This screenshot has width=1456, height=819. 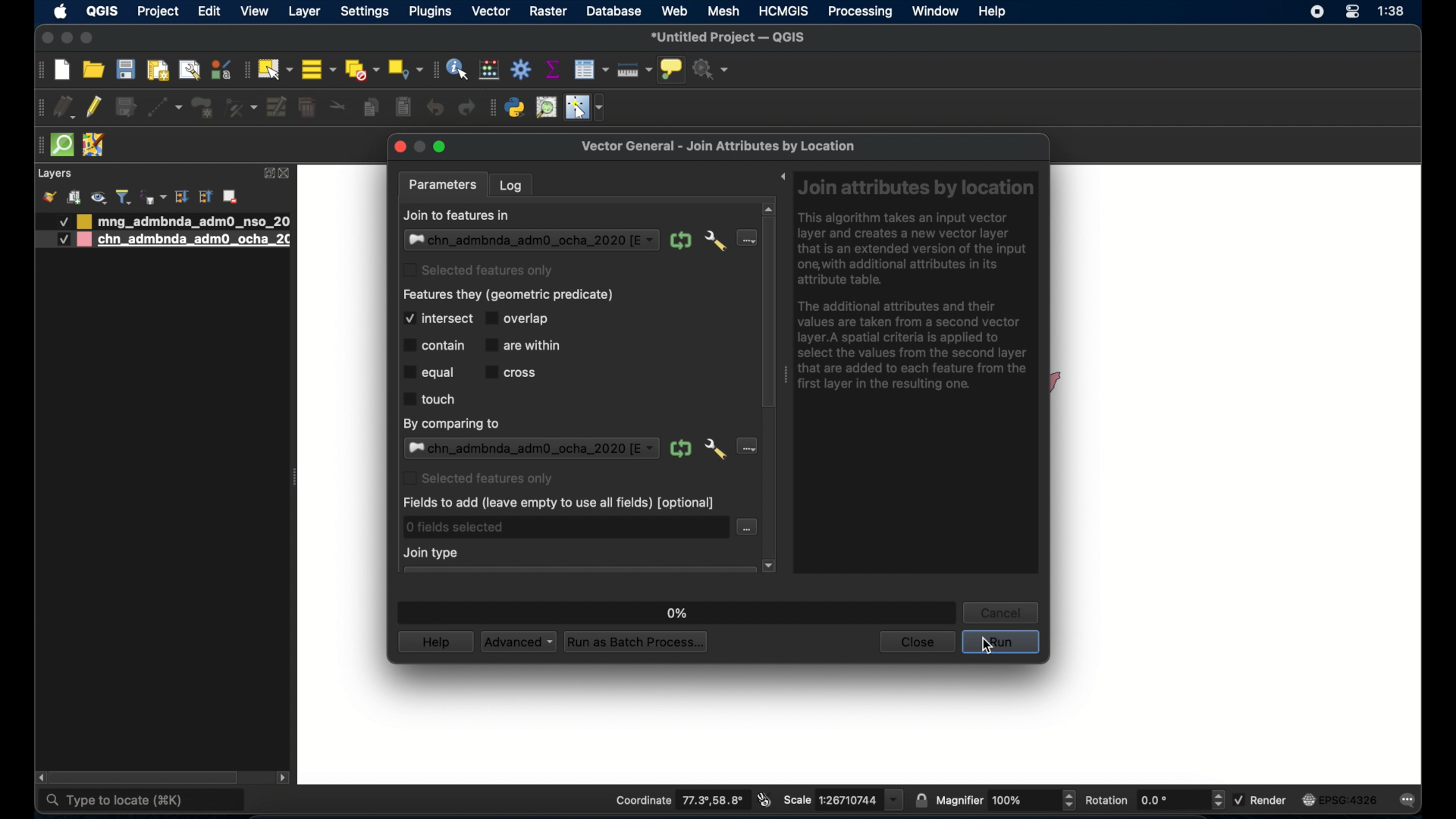 I want to click on open field calculator, so click(x=491, y=69).